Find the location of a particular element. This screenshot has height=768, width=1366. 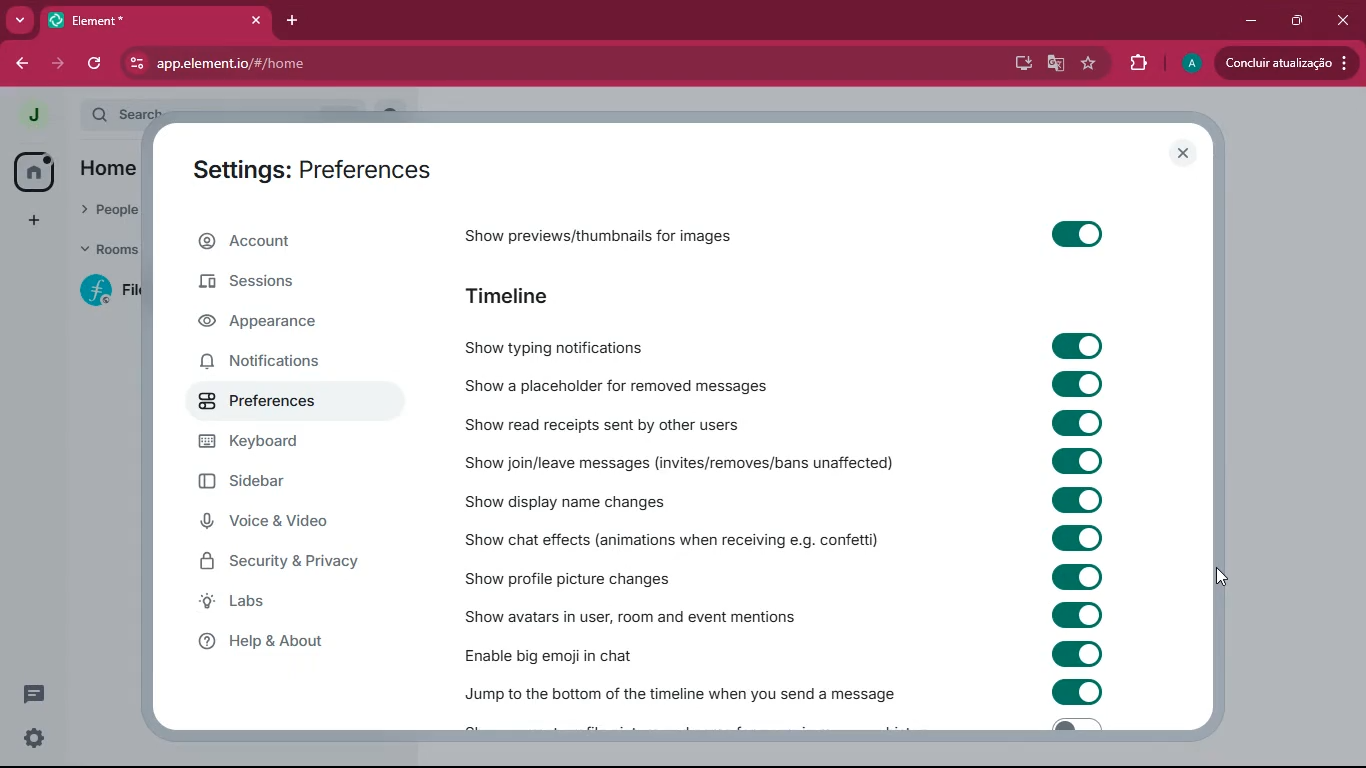

toggle on  is located at coordinates (1078, 692).